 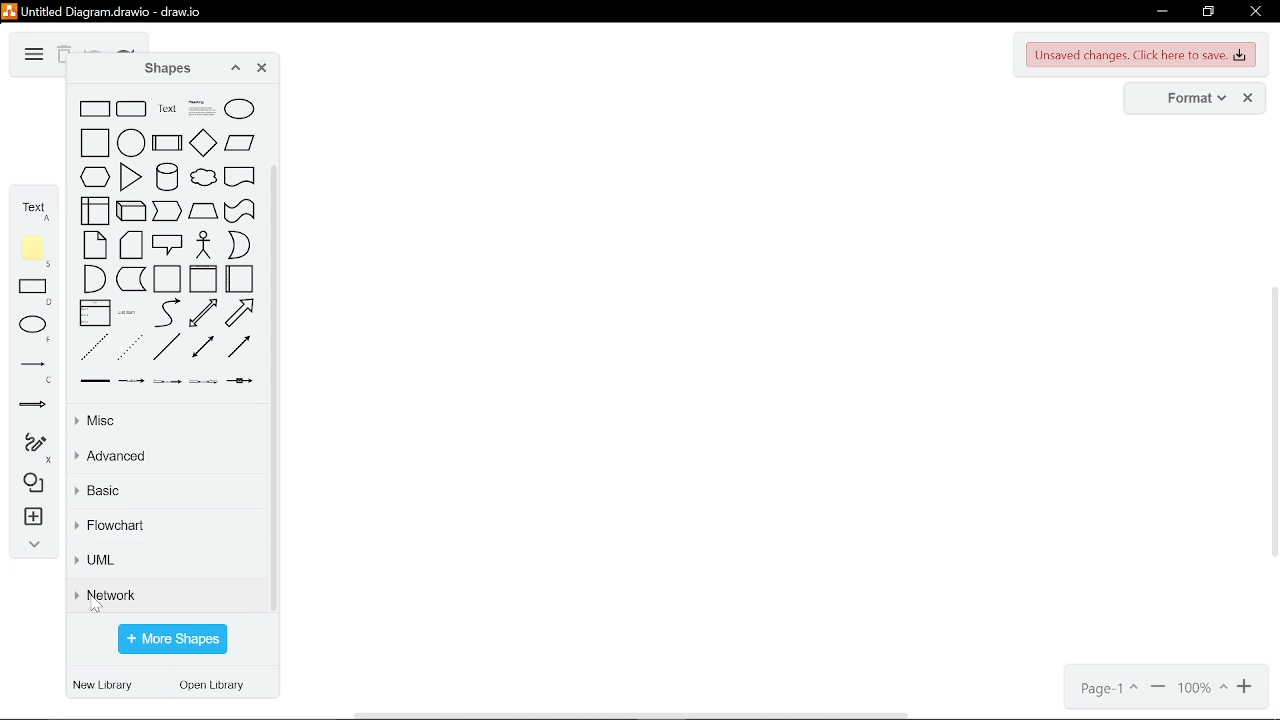 I want to click on Basic, so click(x=165, y=494).